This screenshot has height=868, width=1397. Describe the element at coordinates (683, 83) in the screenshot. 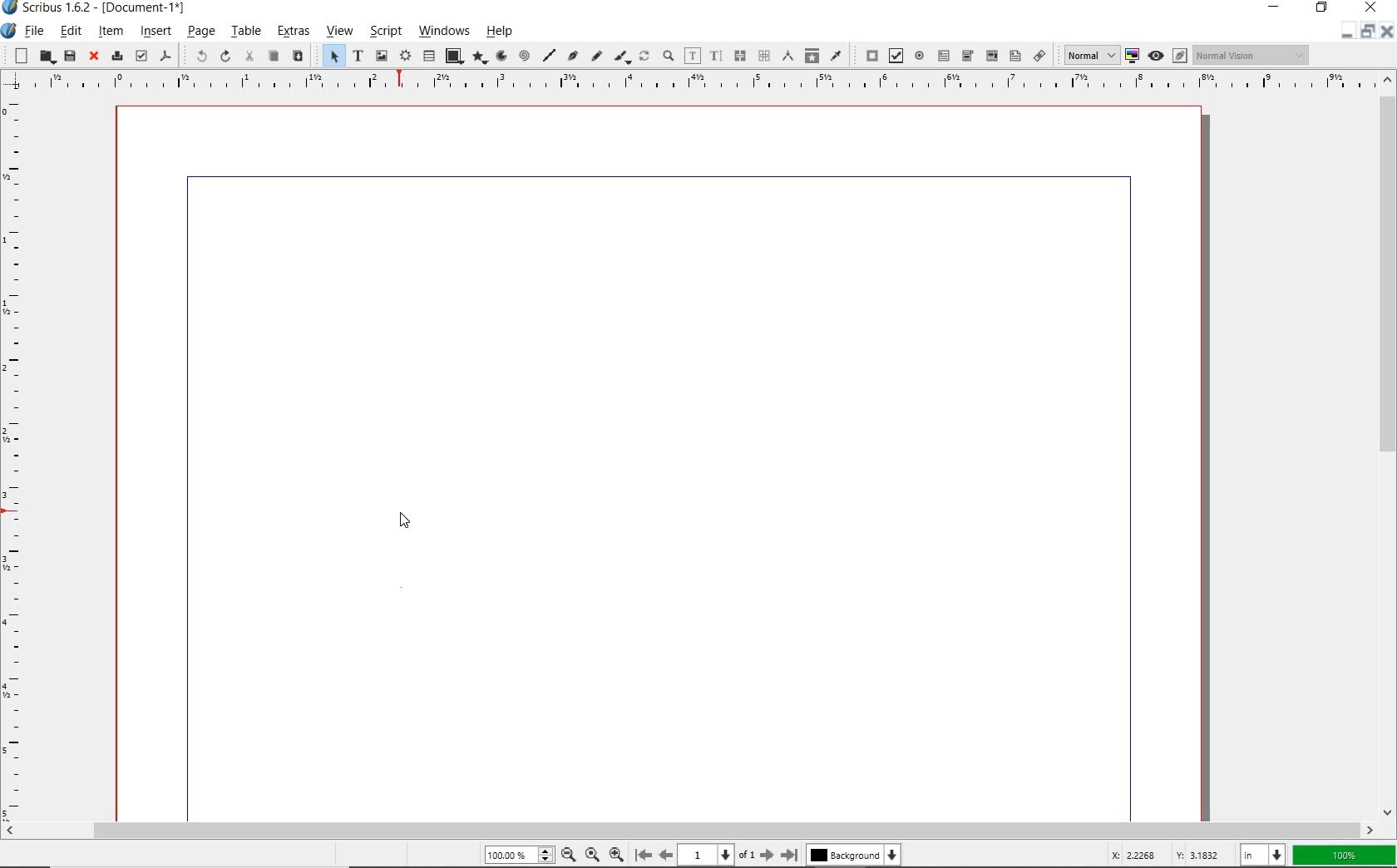

I see `Vertical page margin` at that location.